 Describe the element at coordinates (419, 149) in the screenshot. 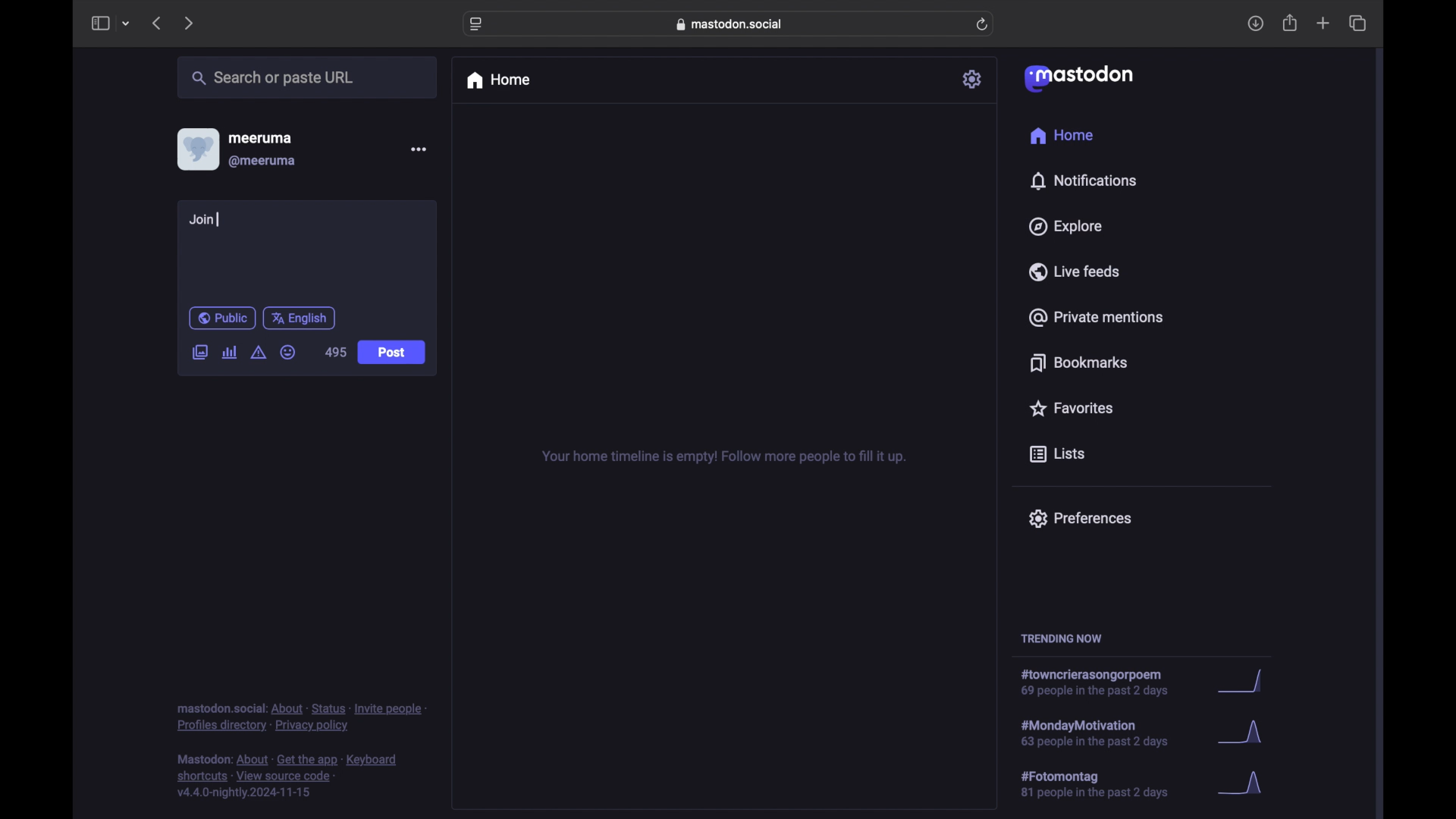

I see `more options` at that location.